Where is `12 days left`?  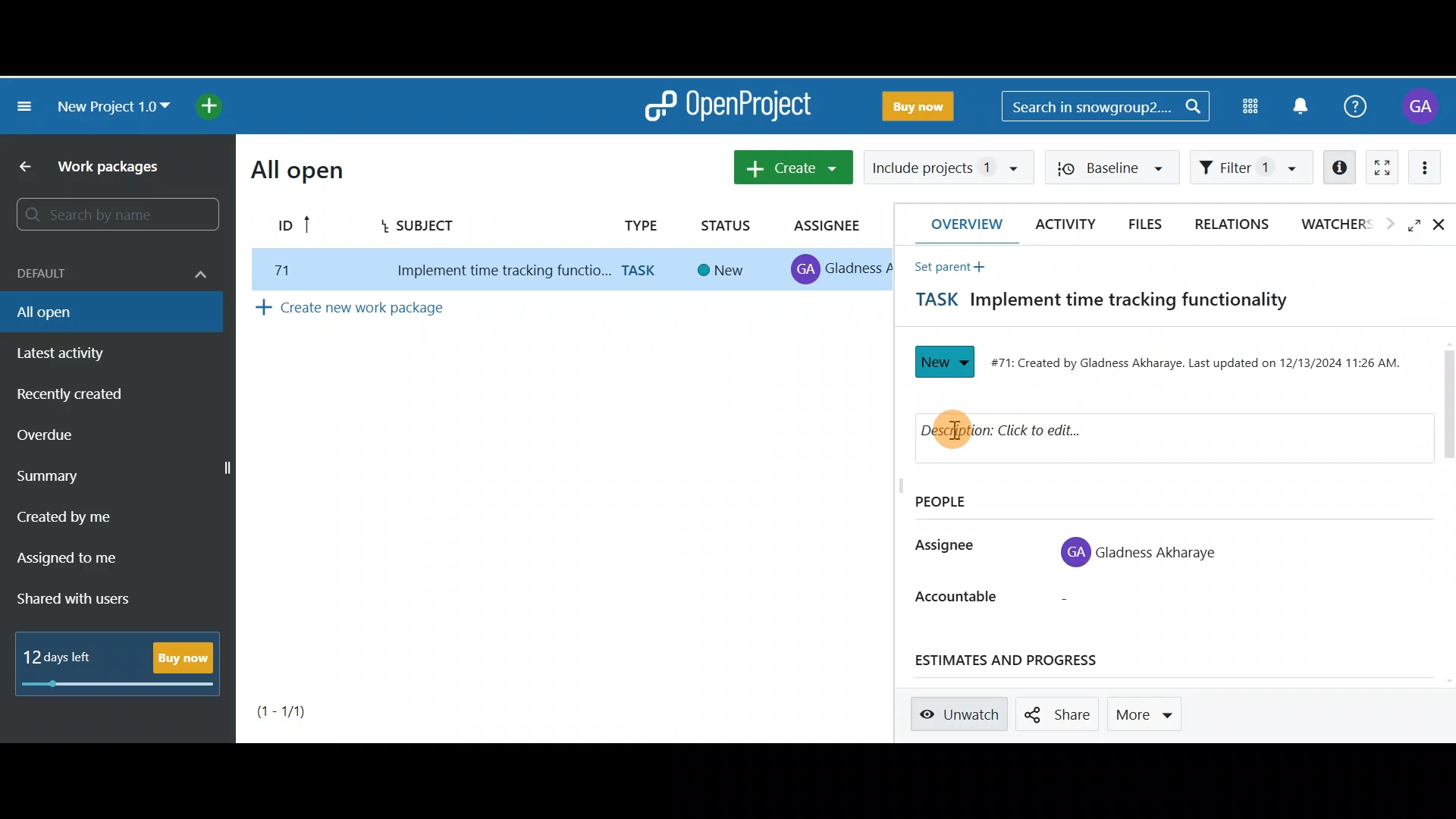
12 days left is located at coordinates (61, 657).